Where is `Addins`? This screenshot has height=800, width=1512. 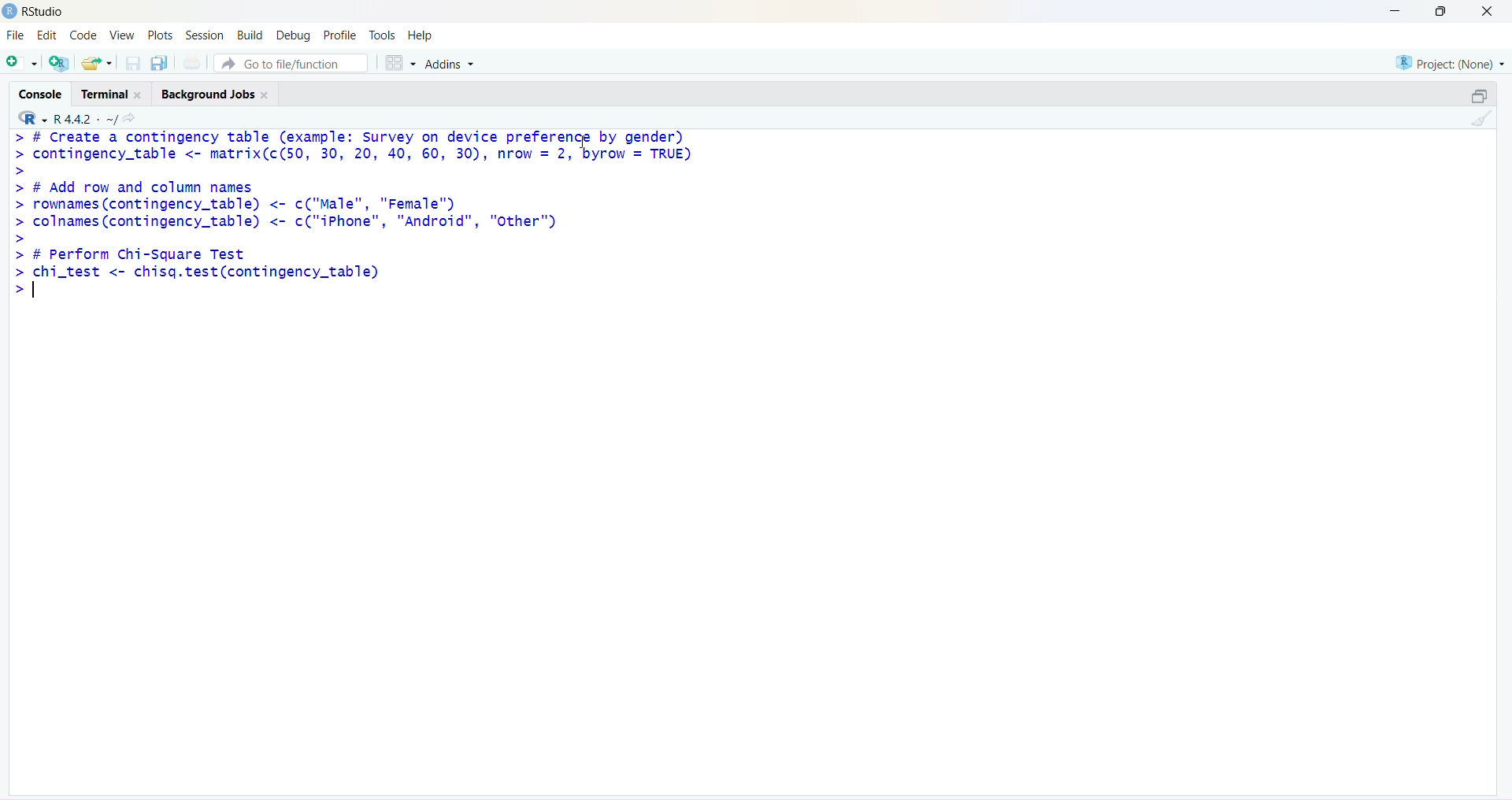 Addins is located at coordinates (450, 65).